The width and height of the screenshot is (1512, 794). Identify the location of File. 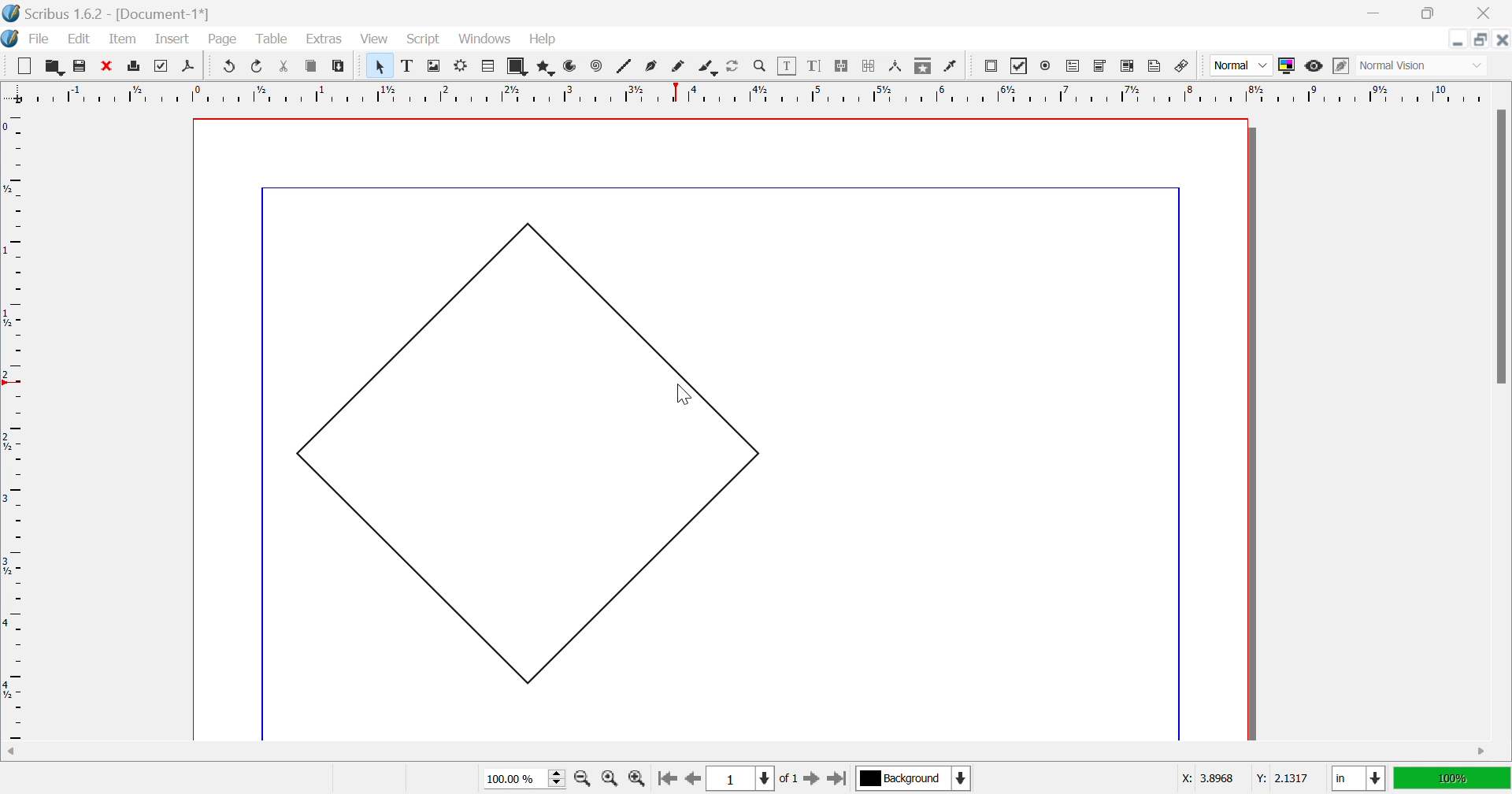
(40, 40).